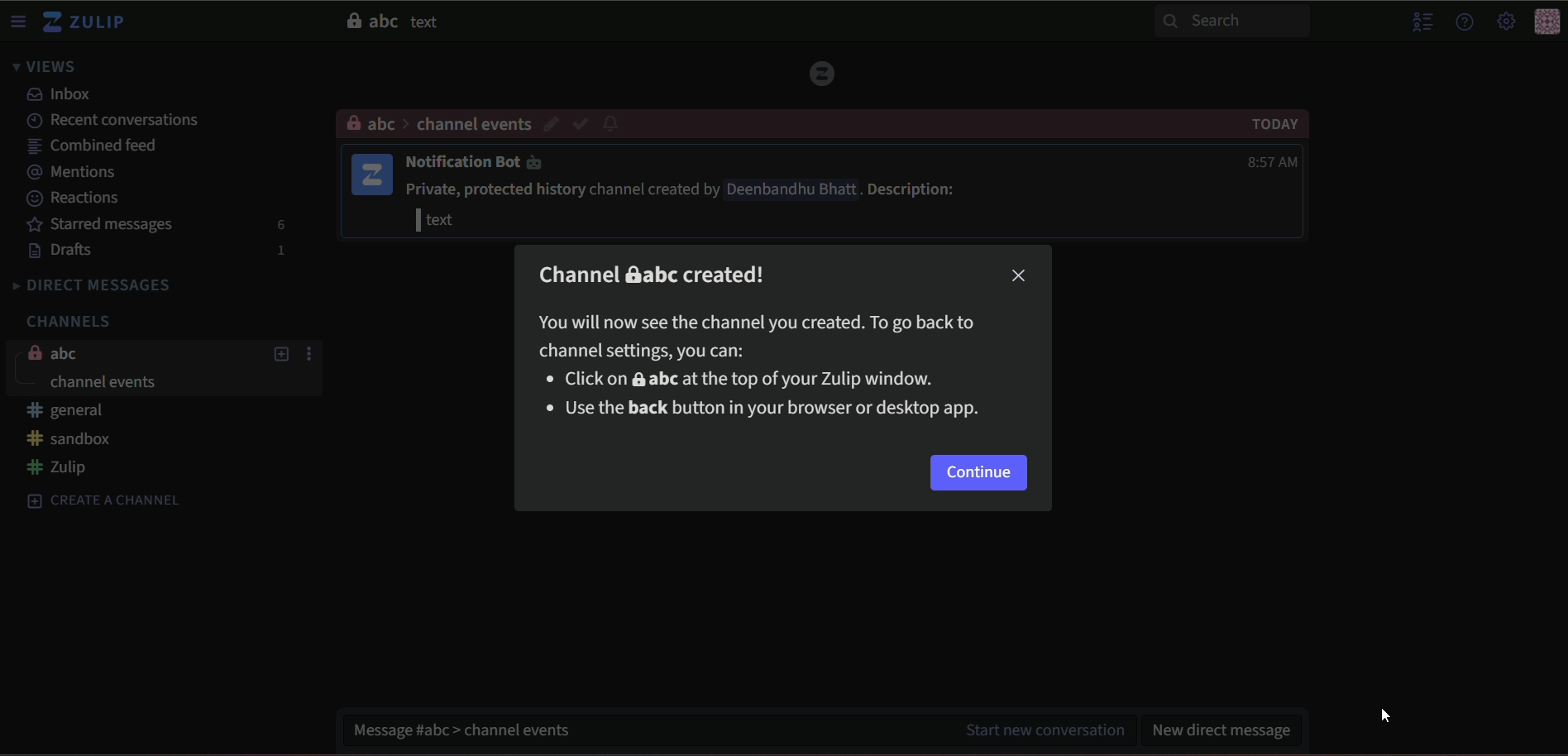  I want to click on help menu, so click(1465, 22).